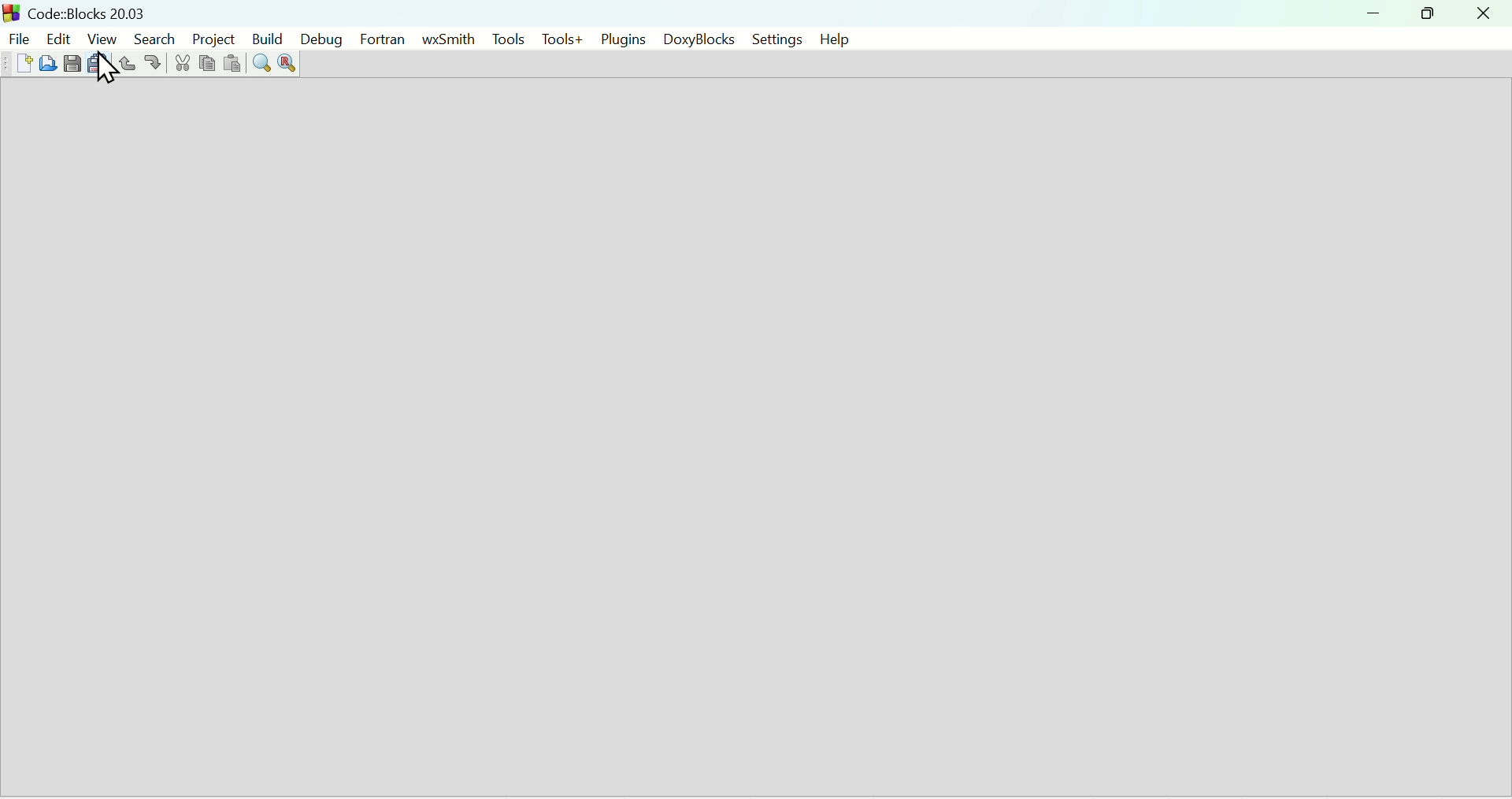  Describe the element at coordinates (17, 36) in the screenshot. I see `File` at that location.